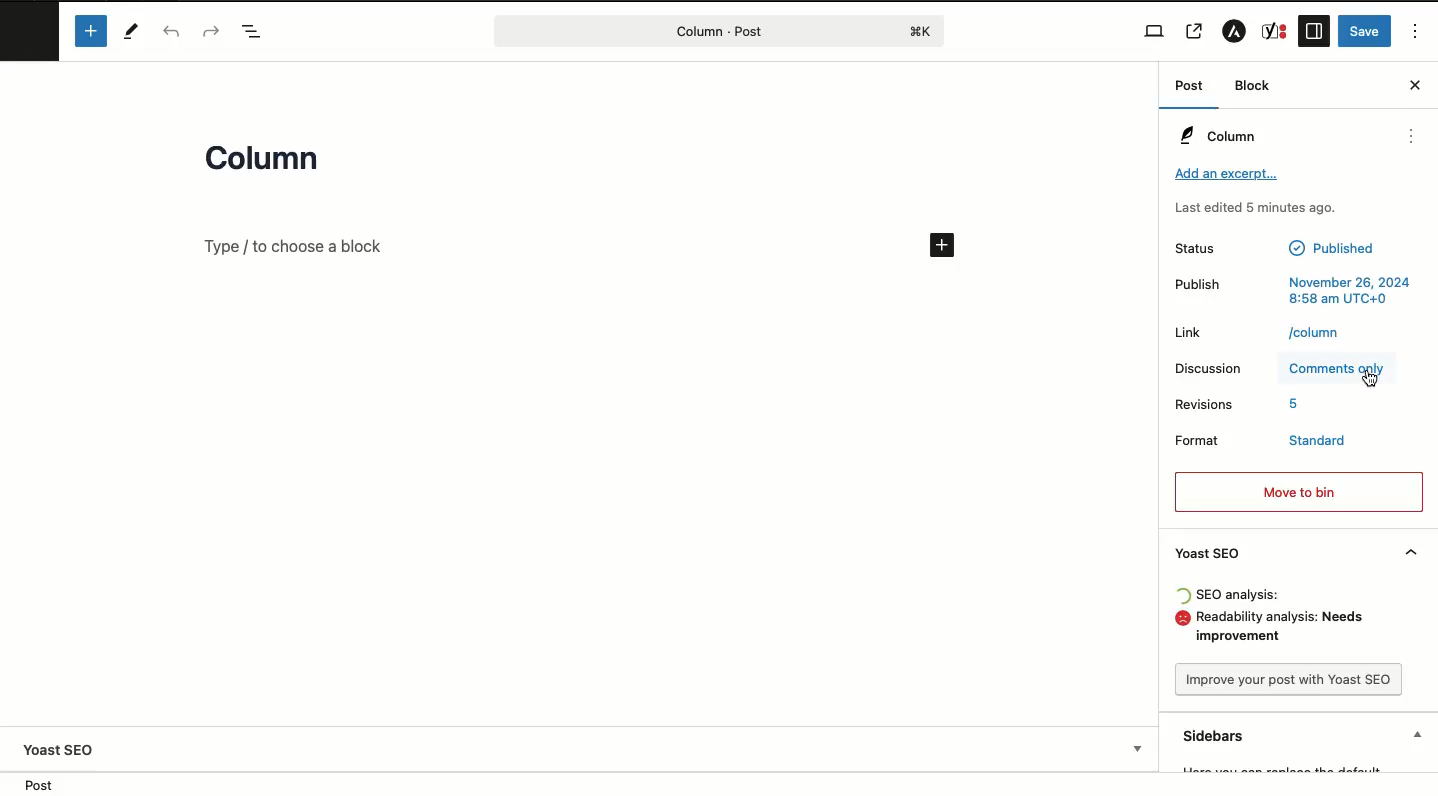 Image resolution: width=1438 pixels, height=796 pixels. What do you see at coordinates (1305, 736) in the screenshot?
I see `Sidebars` at bounding box center [1305, 736].